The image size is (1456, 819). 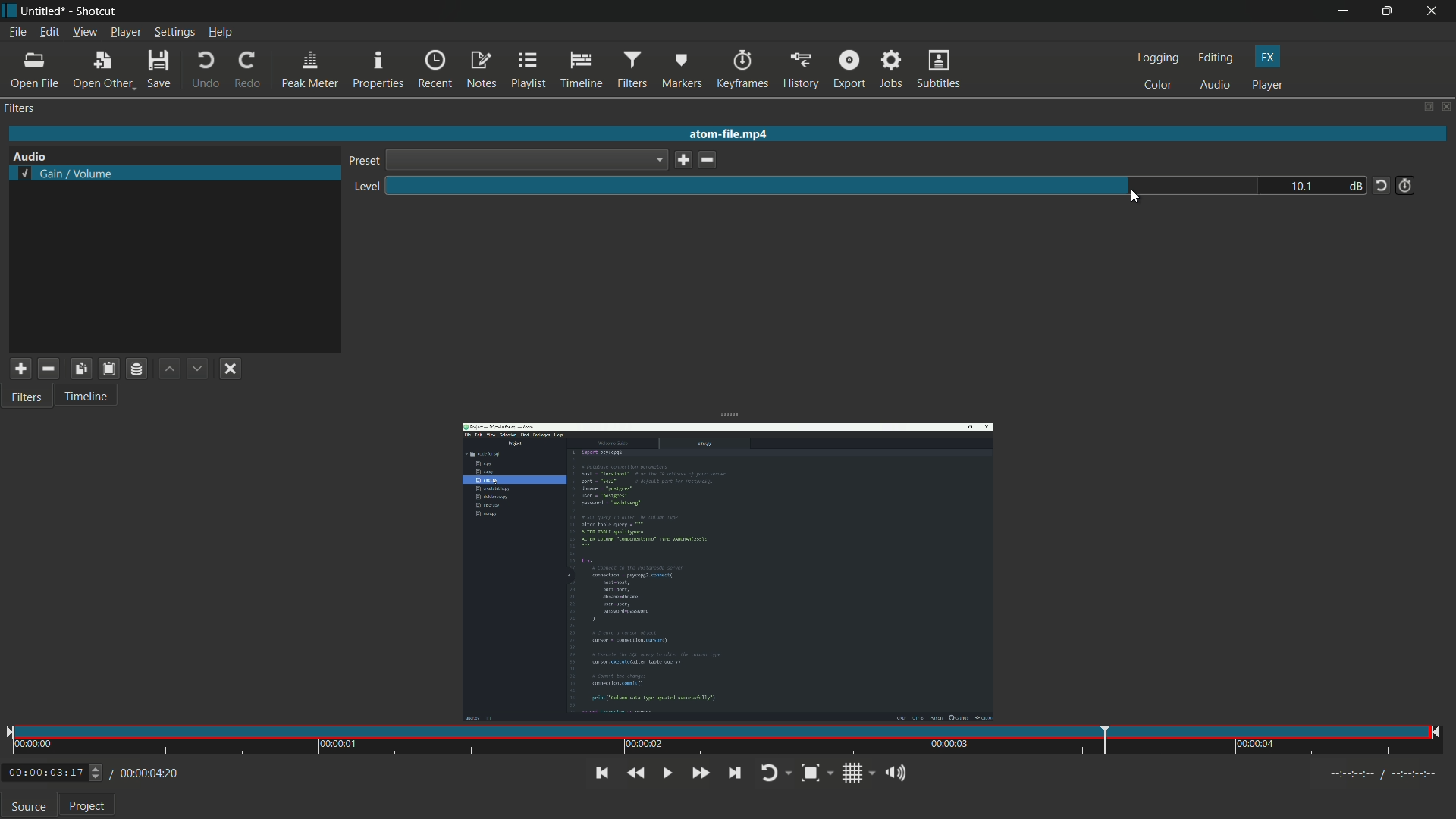 I want to click on export, so click(x=849, y=71).